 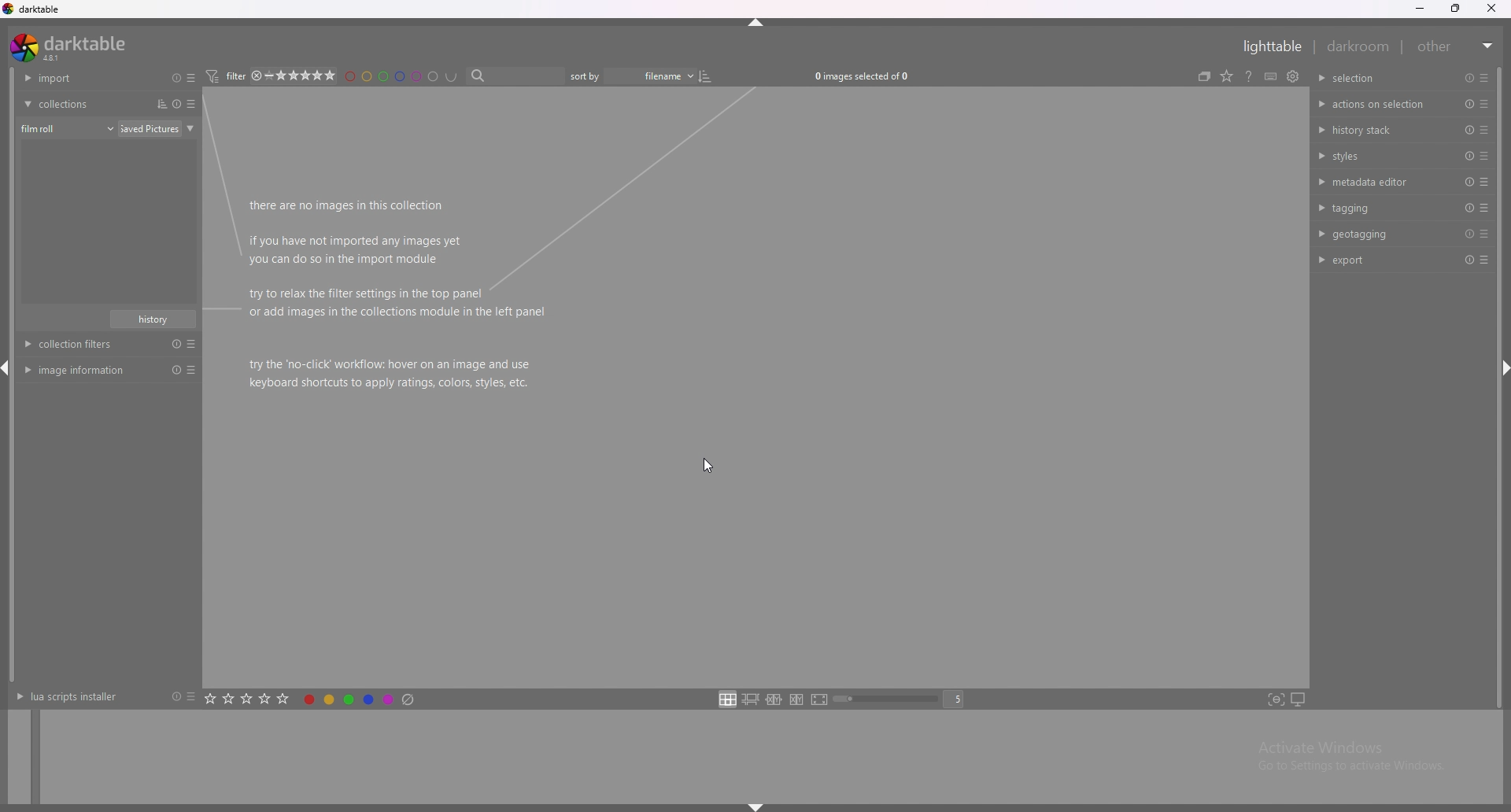 What do you see at coordinates (80, 104) in the screenshot?
I see `collections` at bounding box center [80, 104].